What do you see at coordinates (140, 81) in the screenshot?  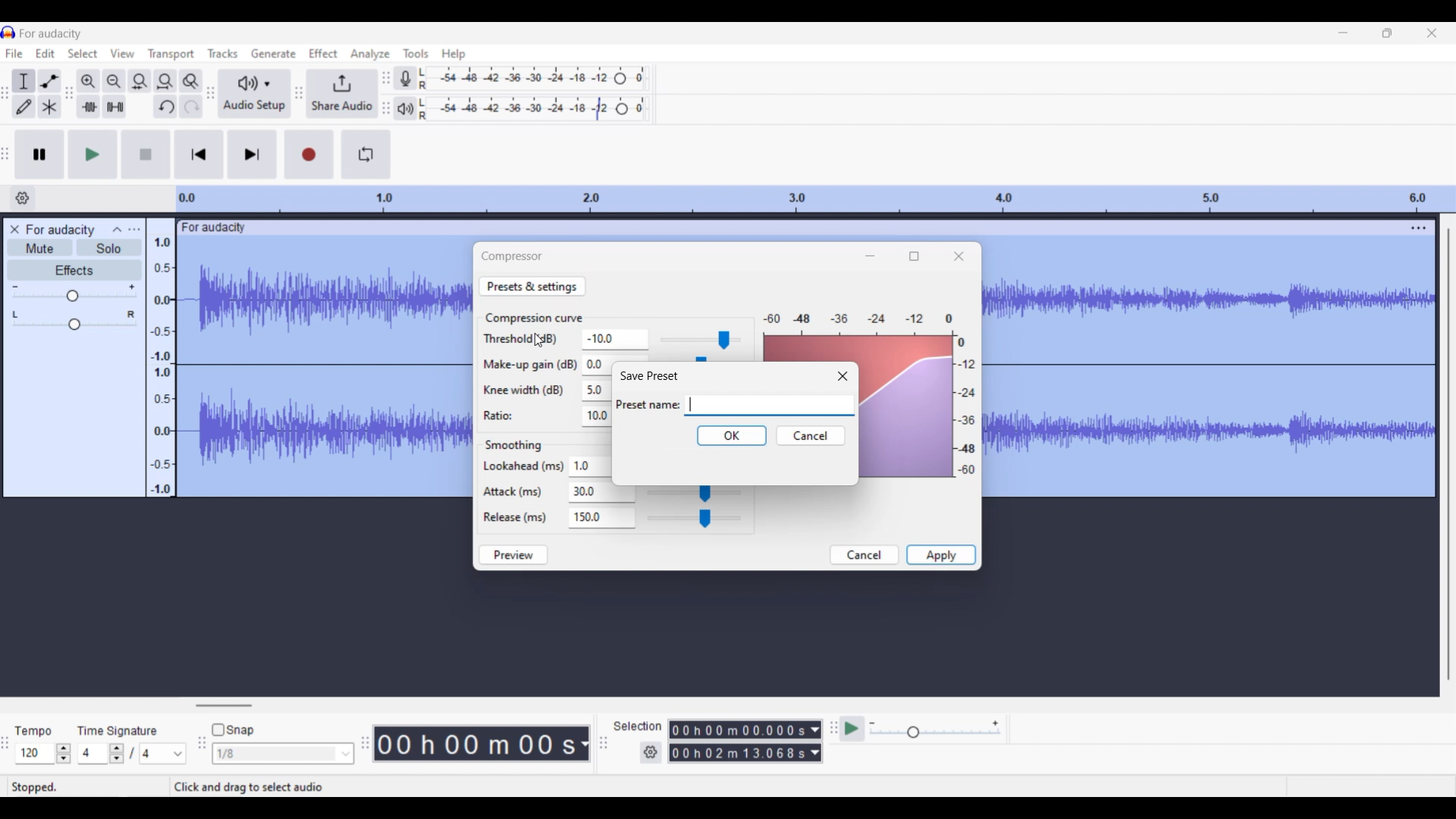 I see `Fit selection to width` at bounding box center [140, 81].